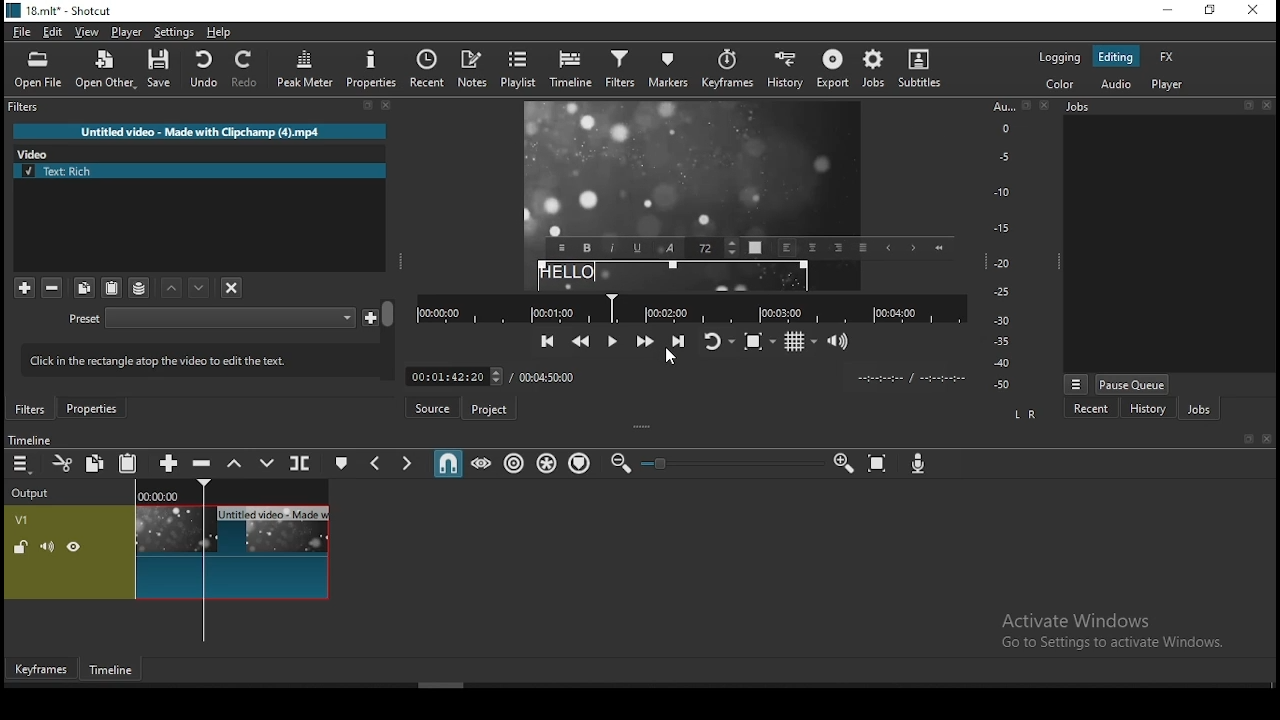 This screenshot has height=720, width=1280. I want to click on Left align, so click(788, 248).